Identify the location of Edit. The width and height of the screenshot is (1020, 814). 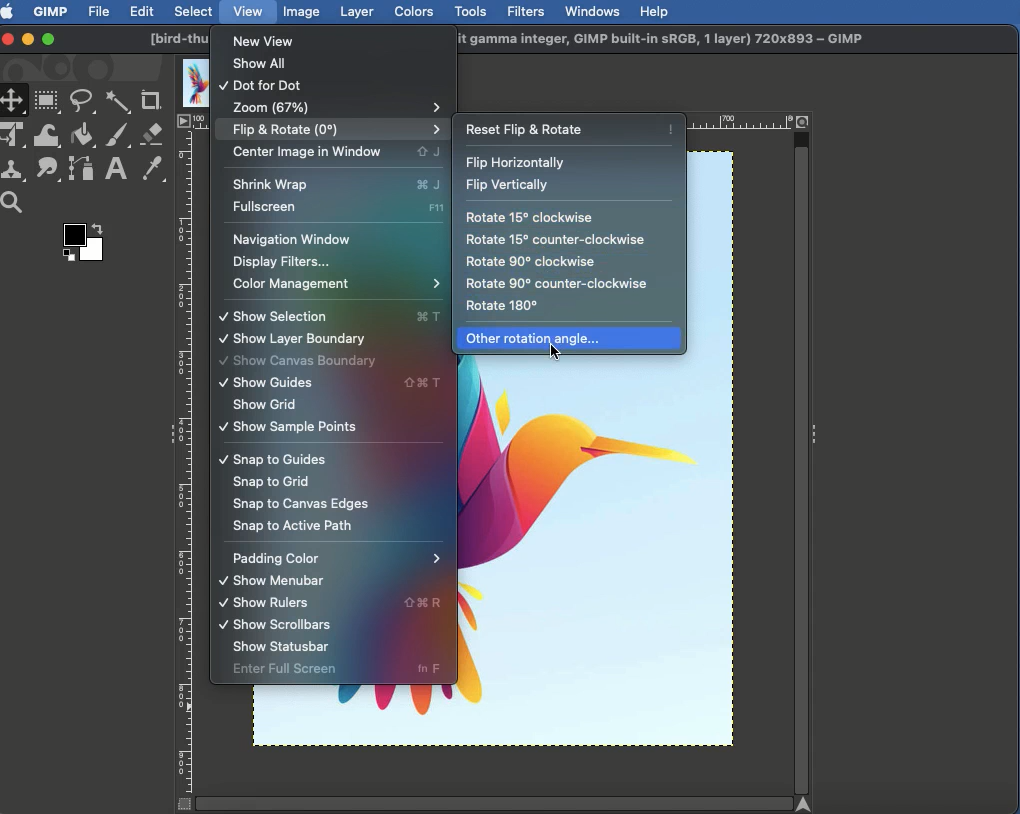
(142, 13).